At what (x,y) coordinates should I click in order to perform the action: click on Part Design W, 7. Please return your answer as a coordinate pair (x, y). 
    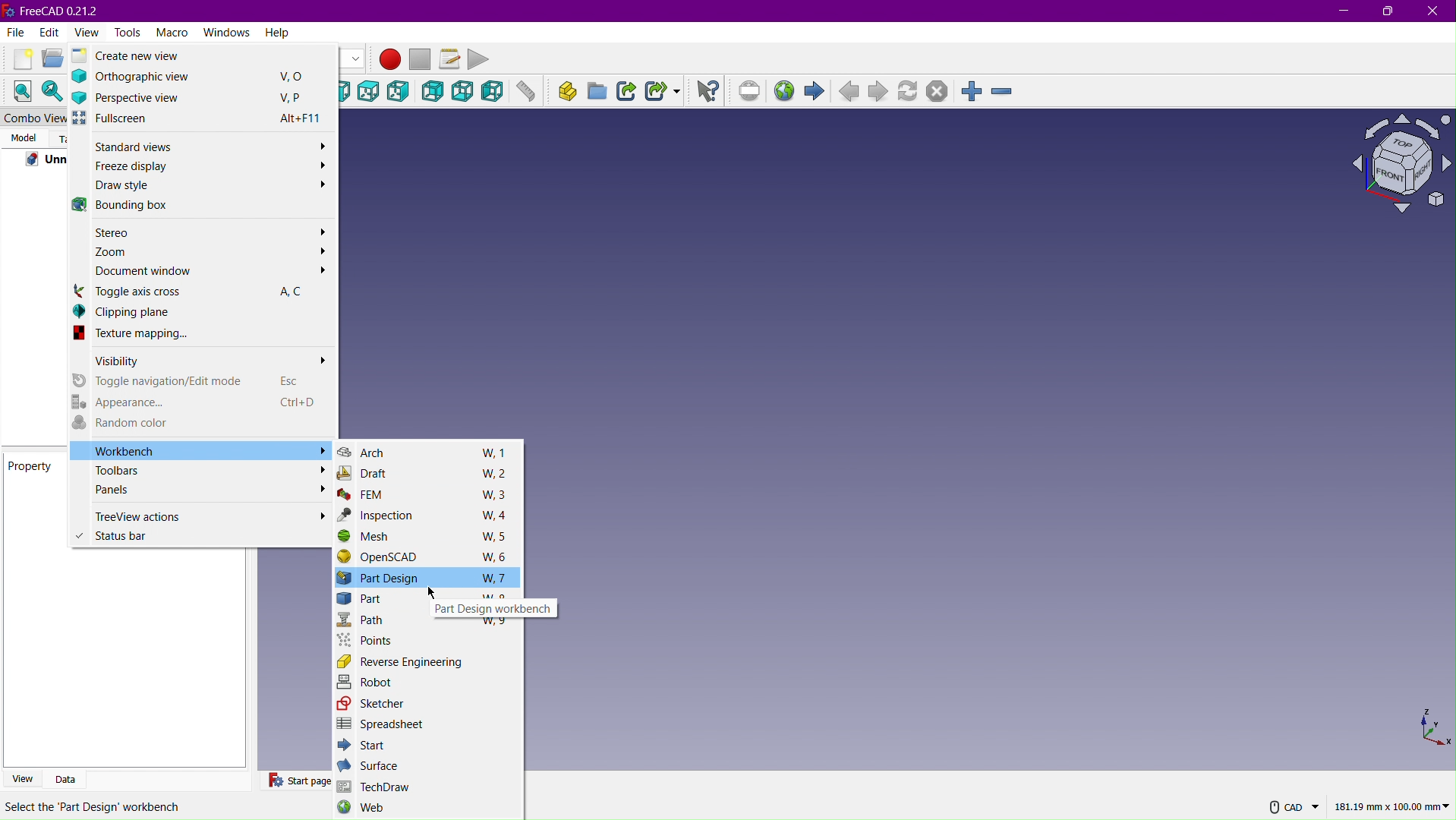
    Looking at the image, I should click on (429, 580).